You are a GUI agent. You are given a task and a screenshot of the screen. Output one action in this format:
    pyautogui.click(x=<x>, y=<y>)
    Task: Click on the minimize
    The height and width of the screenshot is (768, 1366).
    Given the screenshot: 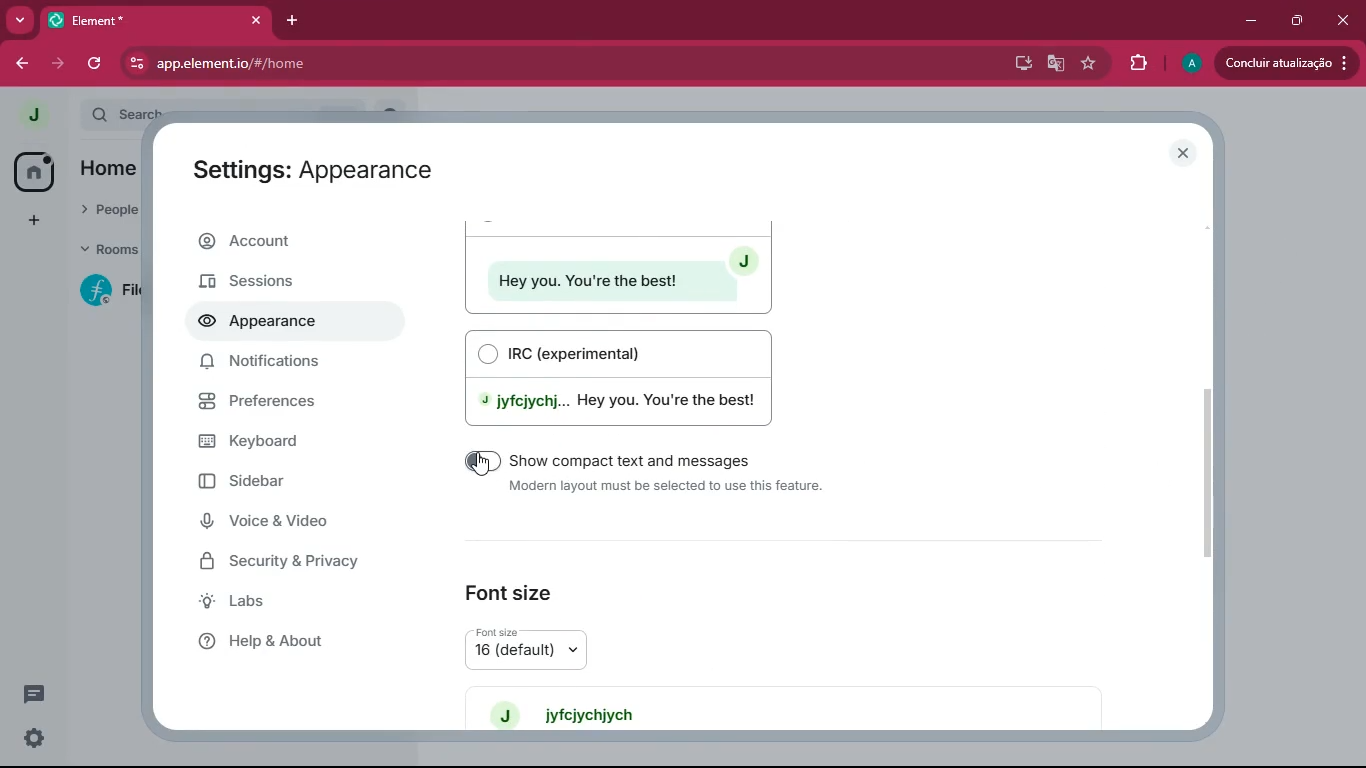 What is the action you would take?
    pyautogui.click(x=1247, y=22)
    